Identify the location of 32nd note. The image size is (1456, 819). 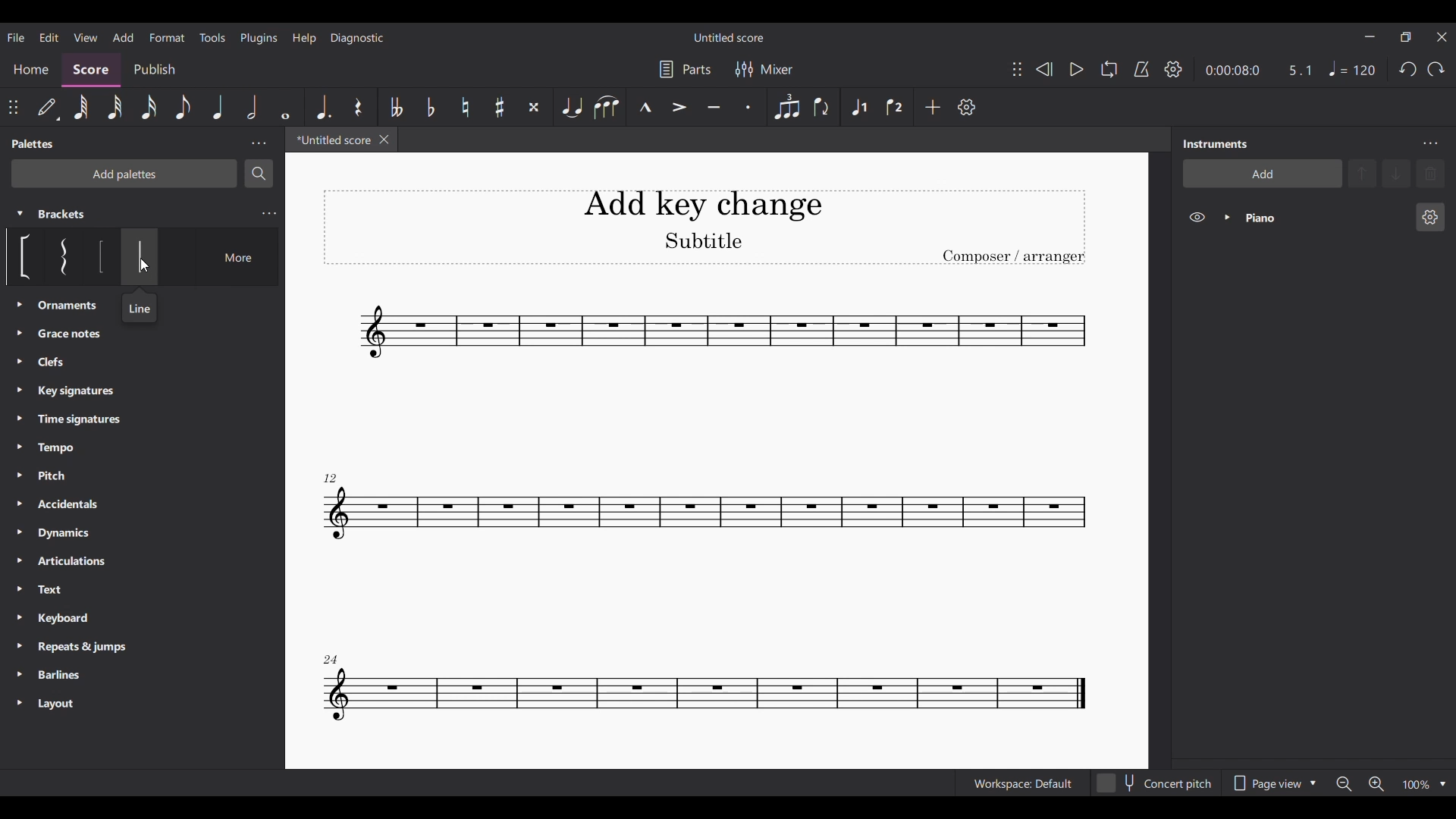
(115, 108).